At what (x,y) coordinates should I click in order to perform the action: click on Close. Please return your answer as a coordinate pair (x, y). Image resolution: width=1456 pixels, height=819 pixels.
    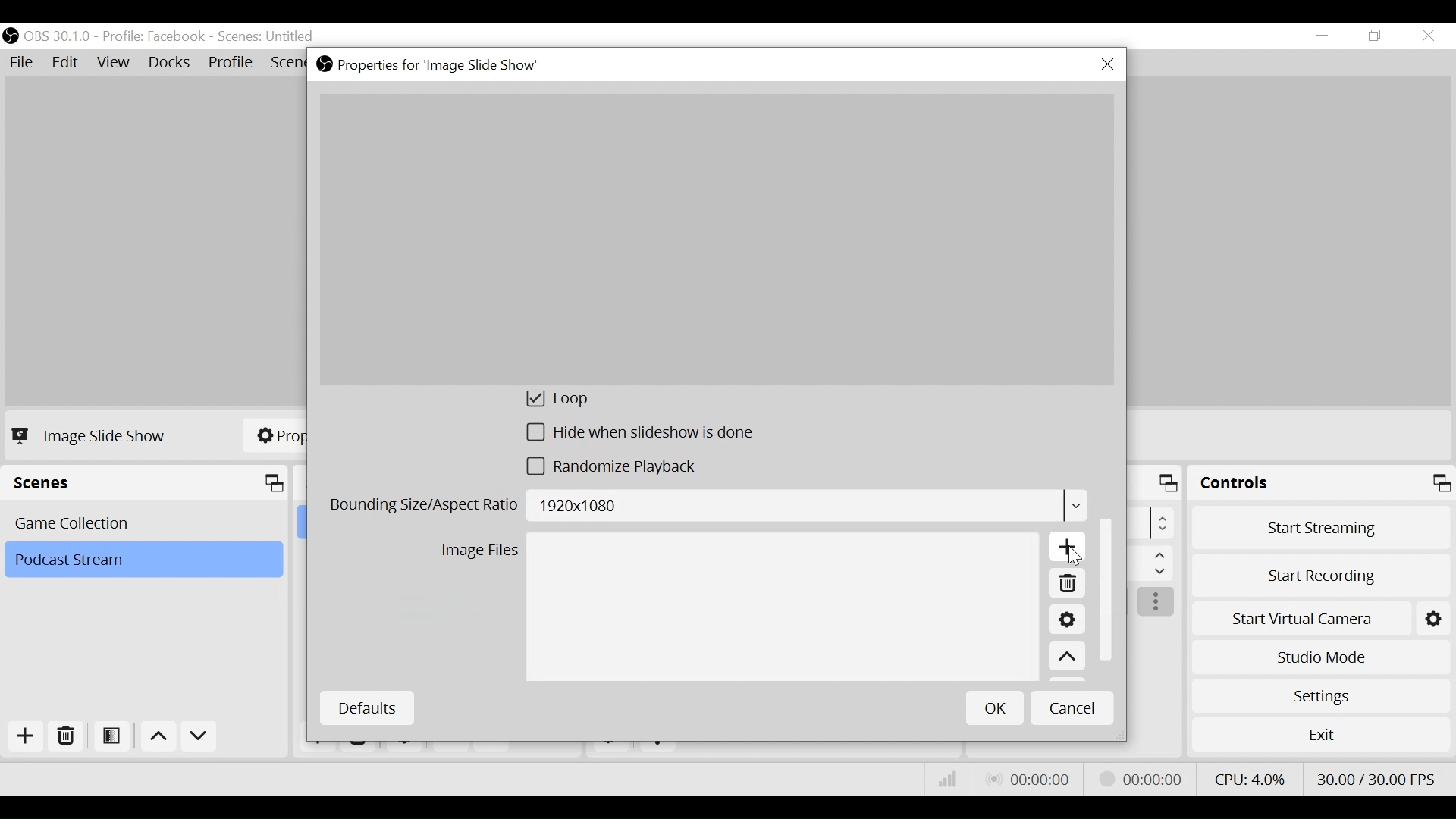
    Looking at the image, I should click on (1107, 65).